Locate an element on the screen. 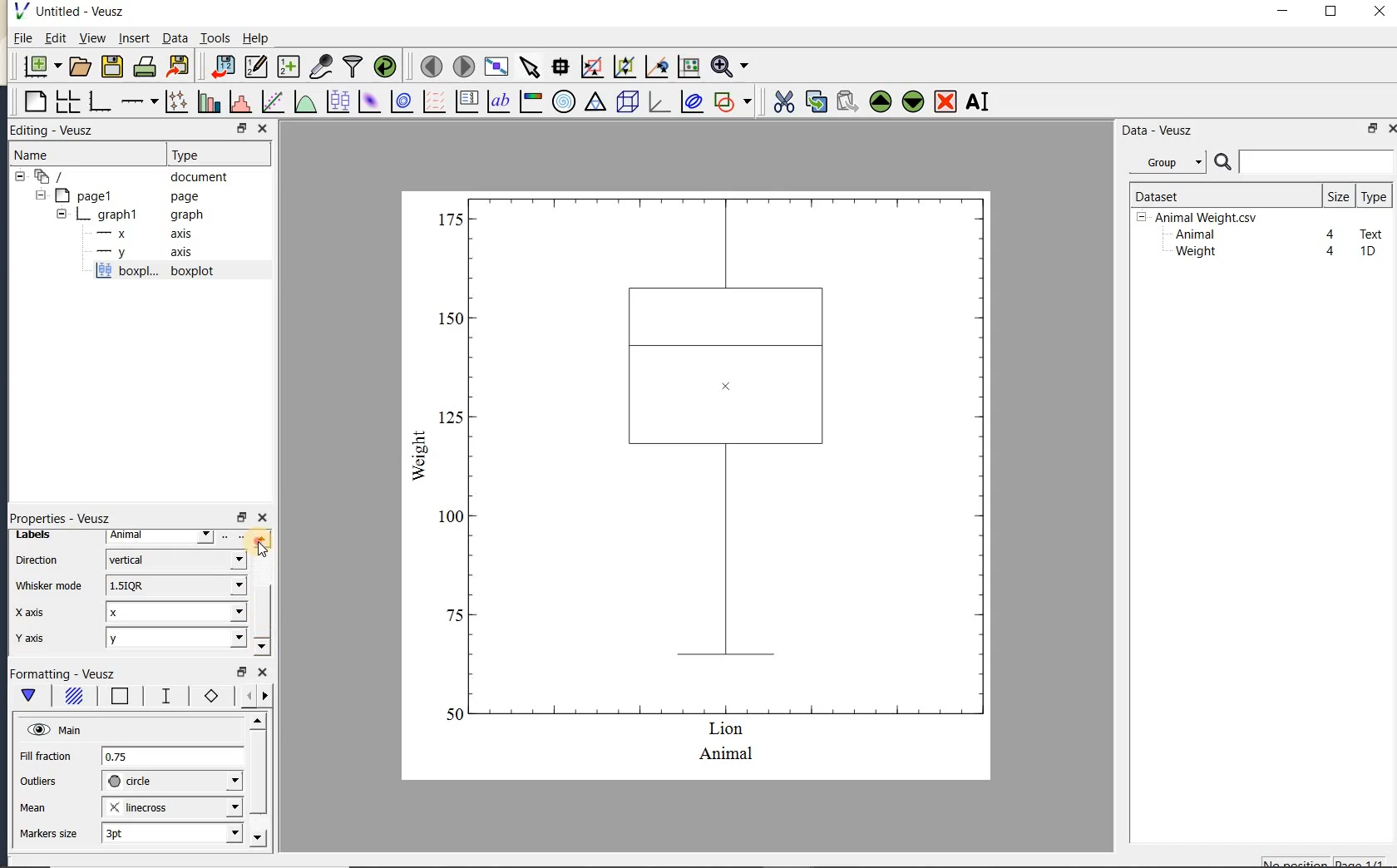 This screenshot has width=1397, height=868. Editing - Veusz is located at coordinates (61, 131).